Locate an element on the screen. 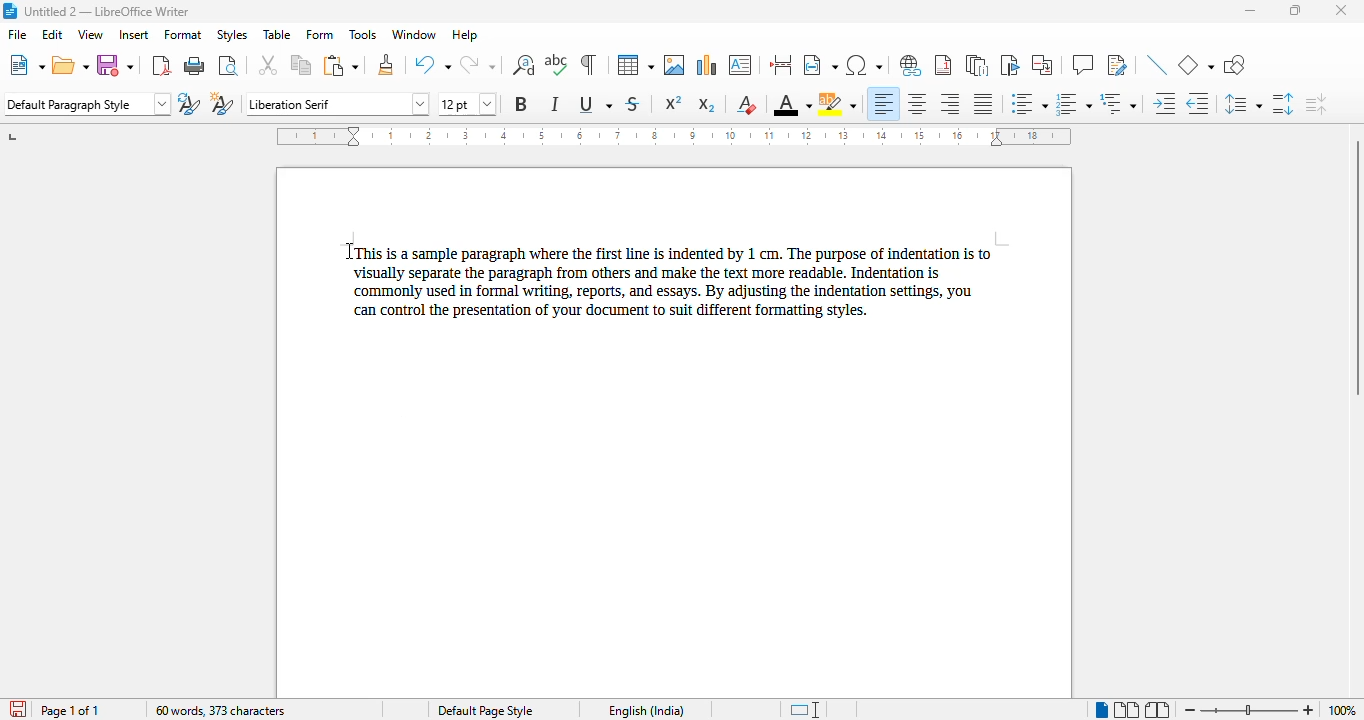 This screenshot has width=1364, height=720. cut is located at coordinates (269, 65).